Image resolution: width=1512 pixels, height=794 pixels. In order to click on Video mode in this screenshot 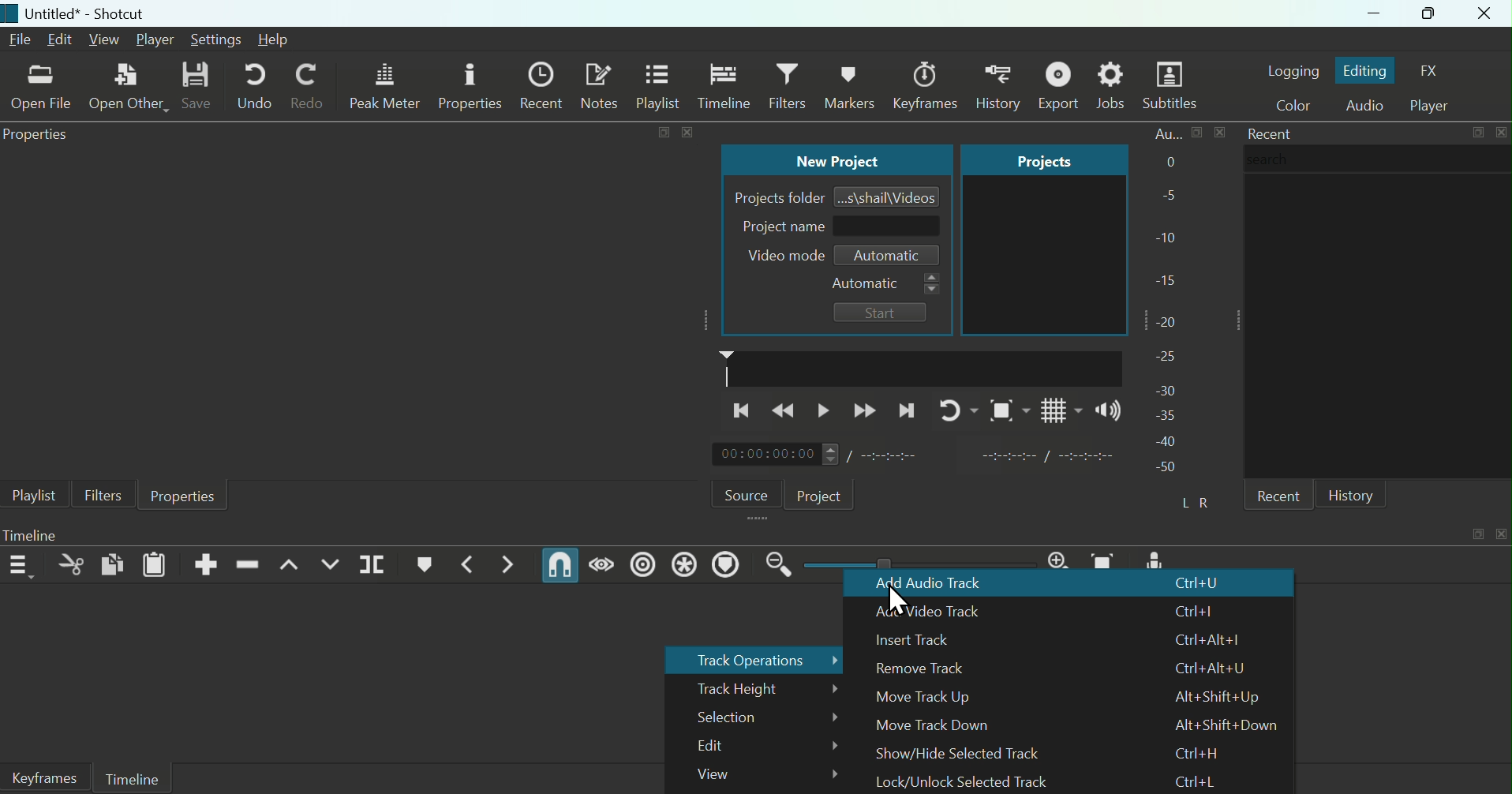, I will do `click(780, 256)`.